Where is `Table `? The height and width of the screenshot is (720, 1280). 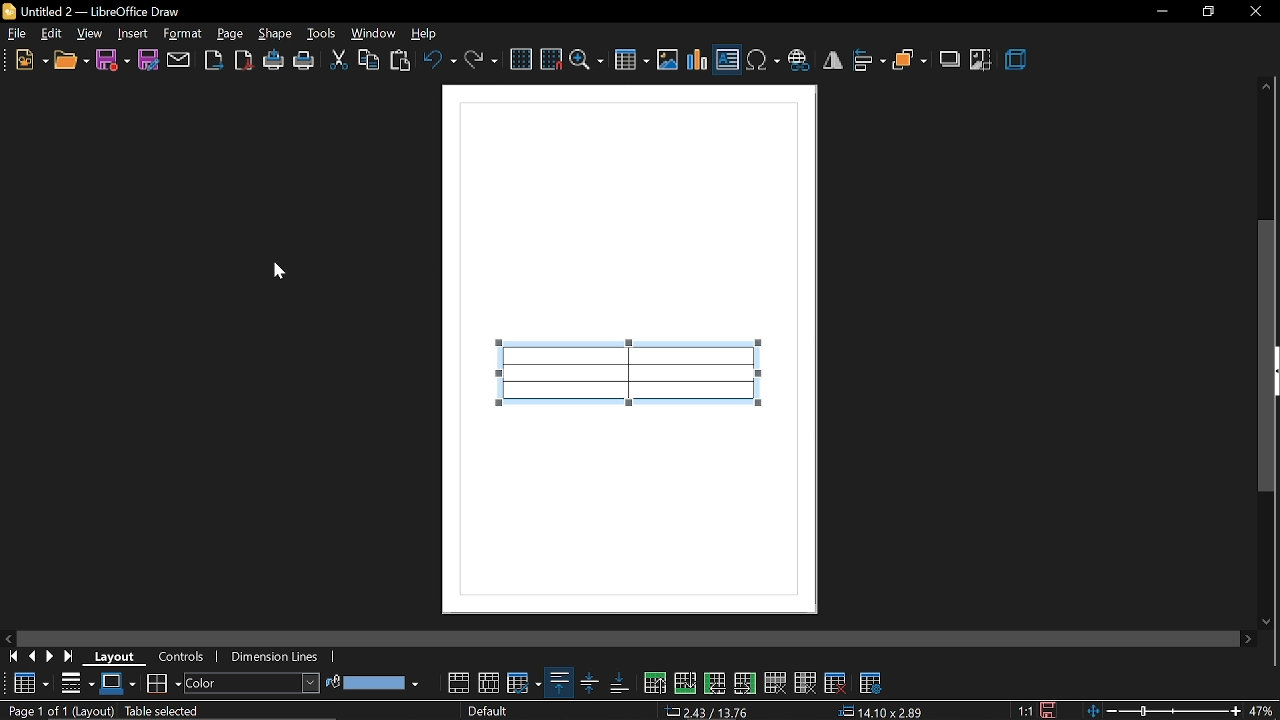
Table  is located at coordinates (30, 683).